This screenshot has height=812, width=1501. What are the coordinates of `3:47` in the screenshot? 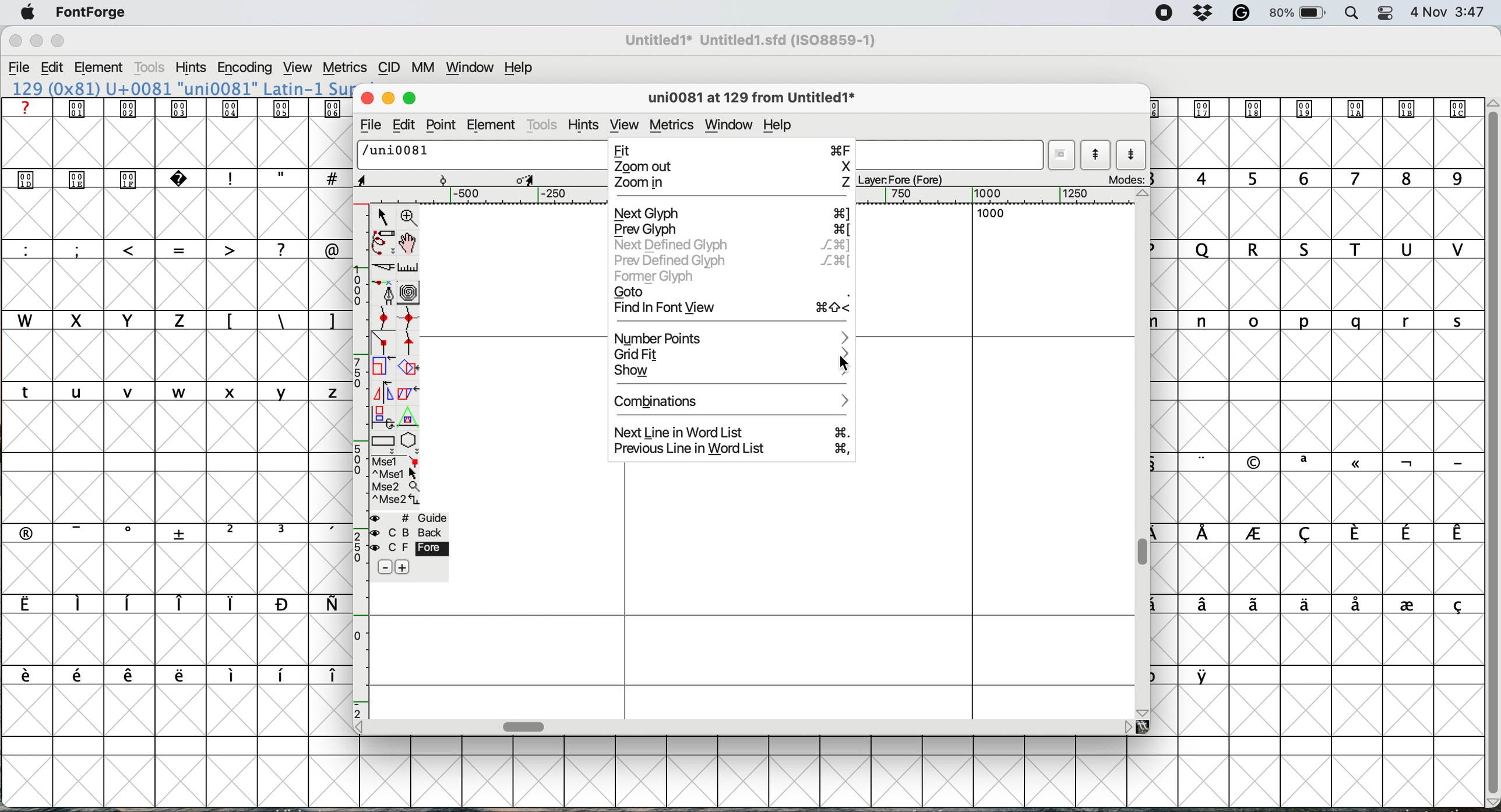 It's located at (1469, 13).